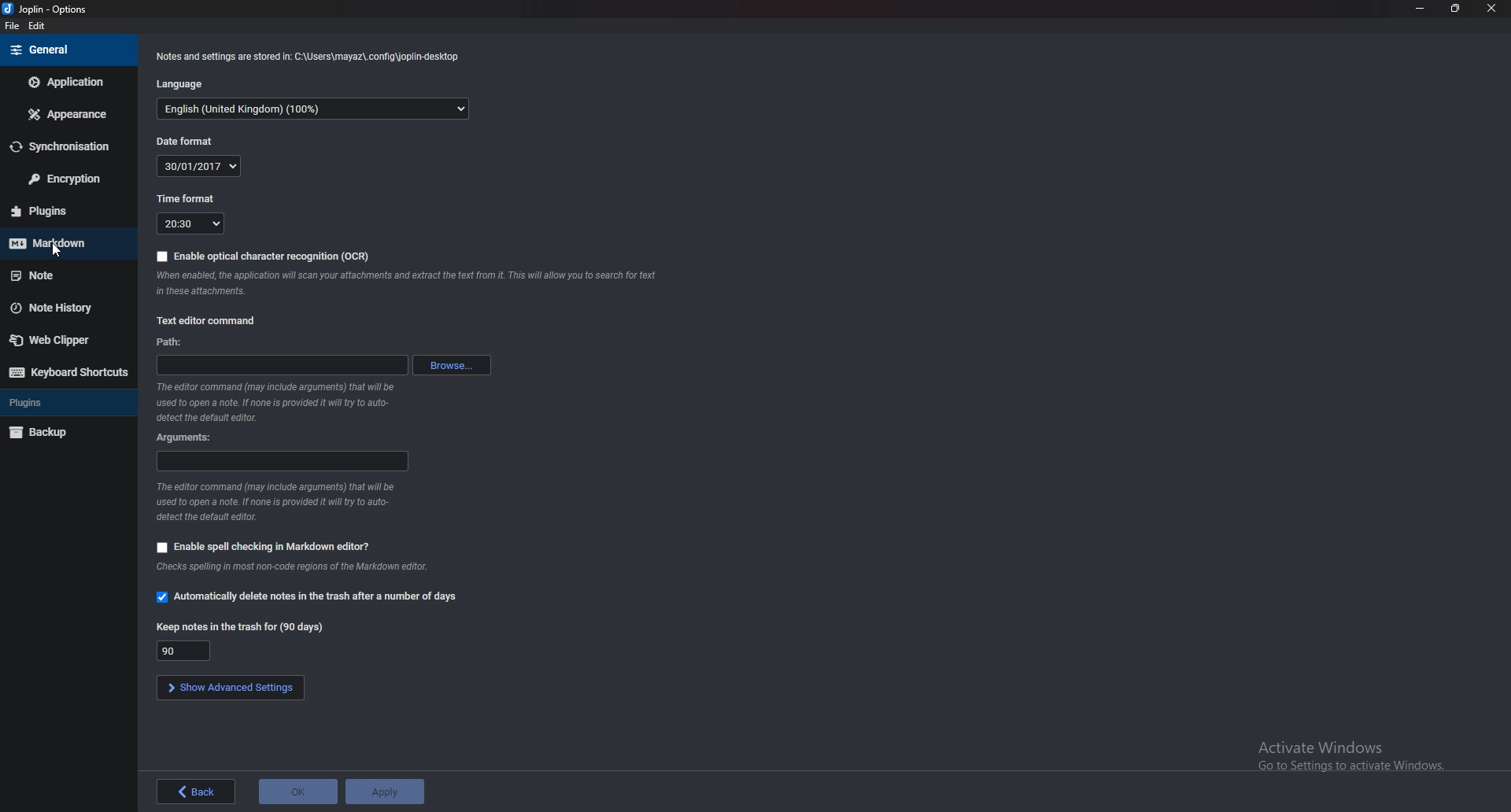  I want to click on Plugins, so click(58, 212).